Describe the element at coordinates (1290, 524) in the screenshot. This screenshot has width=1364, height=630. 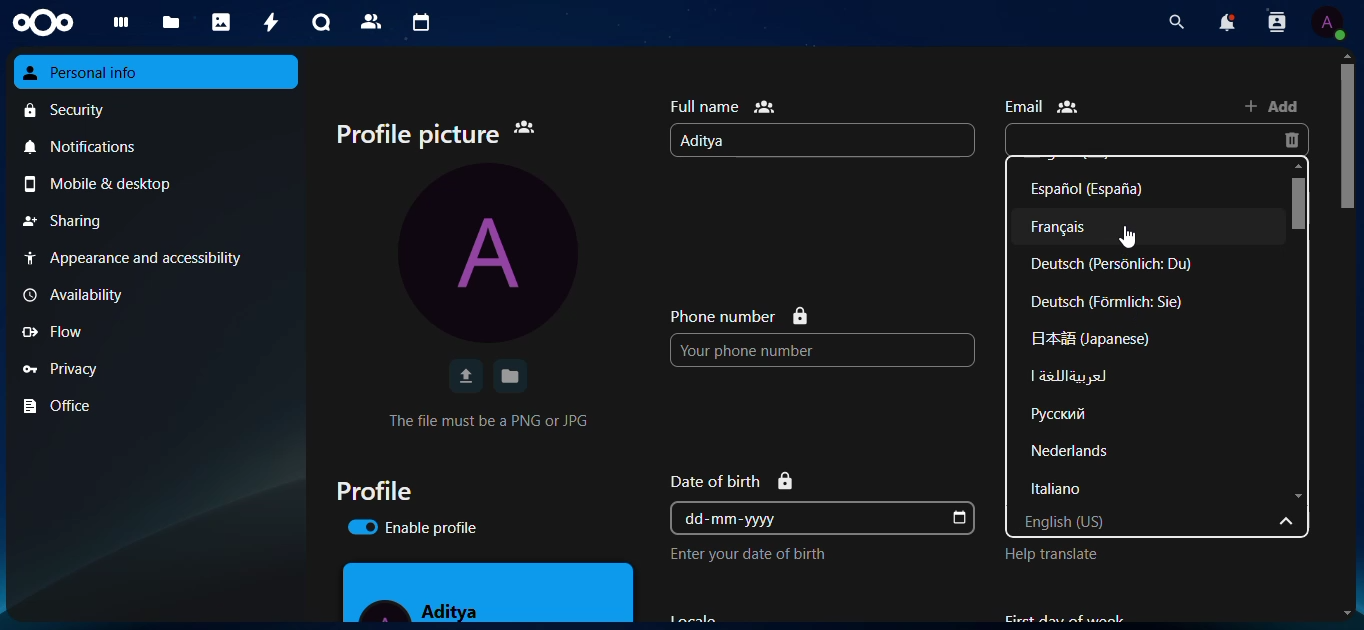
I see `drop down` at that location.